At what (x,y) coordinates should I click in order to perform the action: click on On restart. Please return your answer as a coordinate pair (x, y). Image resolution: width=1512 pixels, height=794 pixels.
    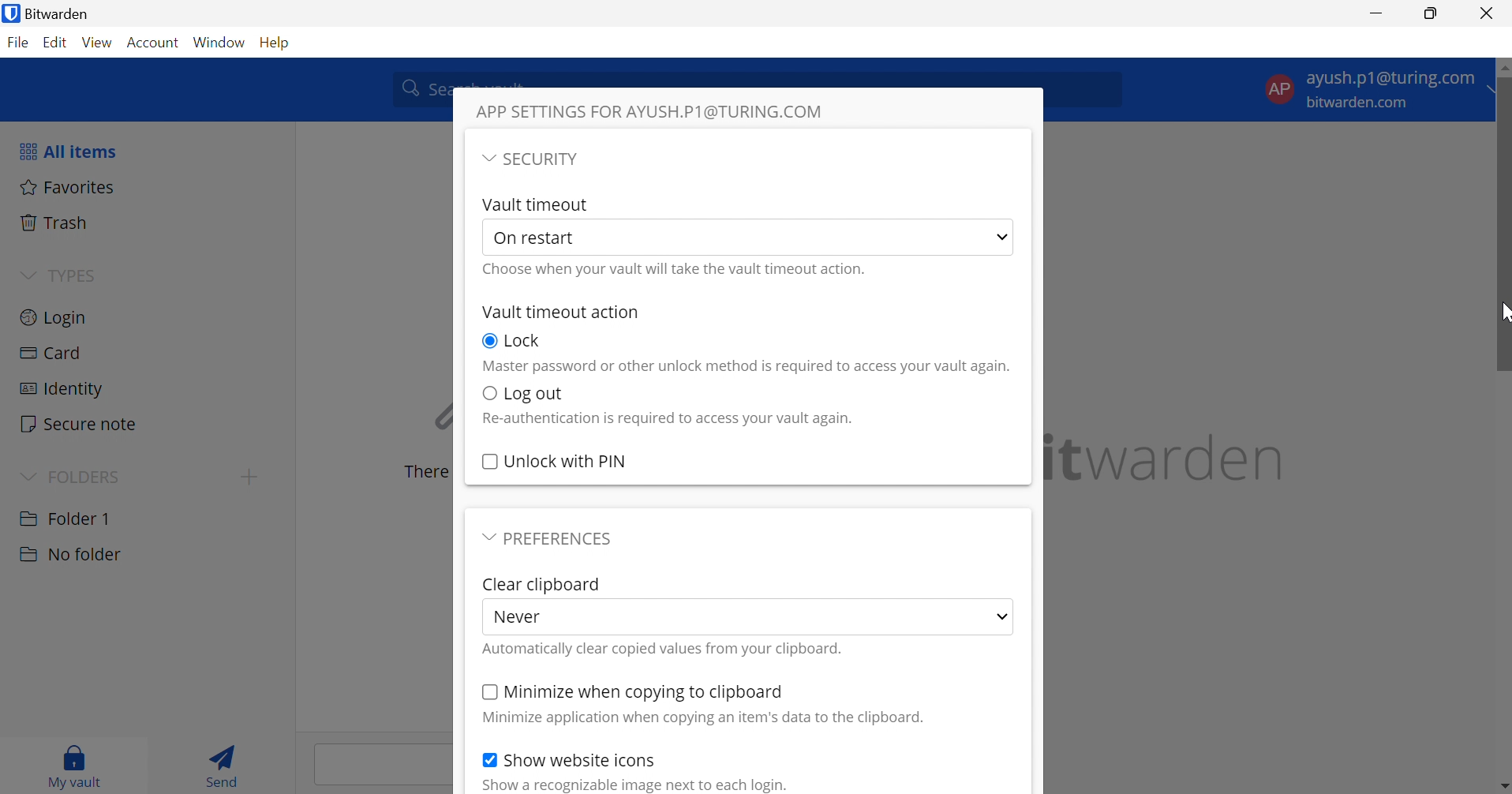
    Looking at the image, I should click on (538, 237).